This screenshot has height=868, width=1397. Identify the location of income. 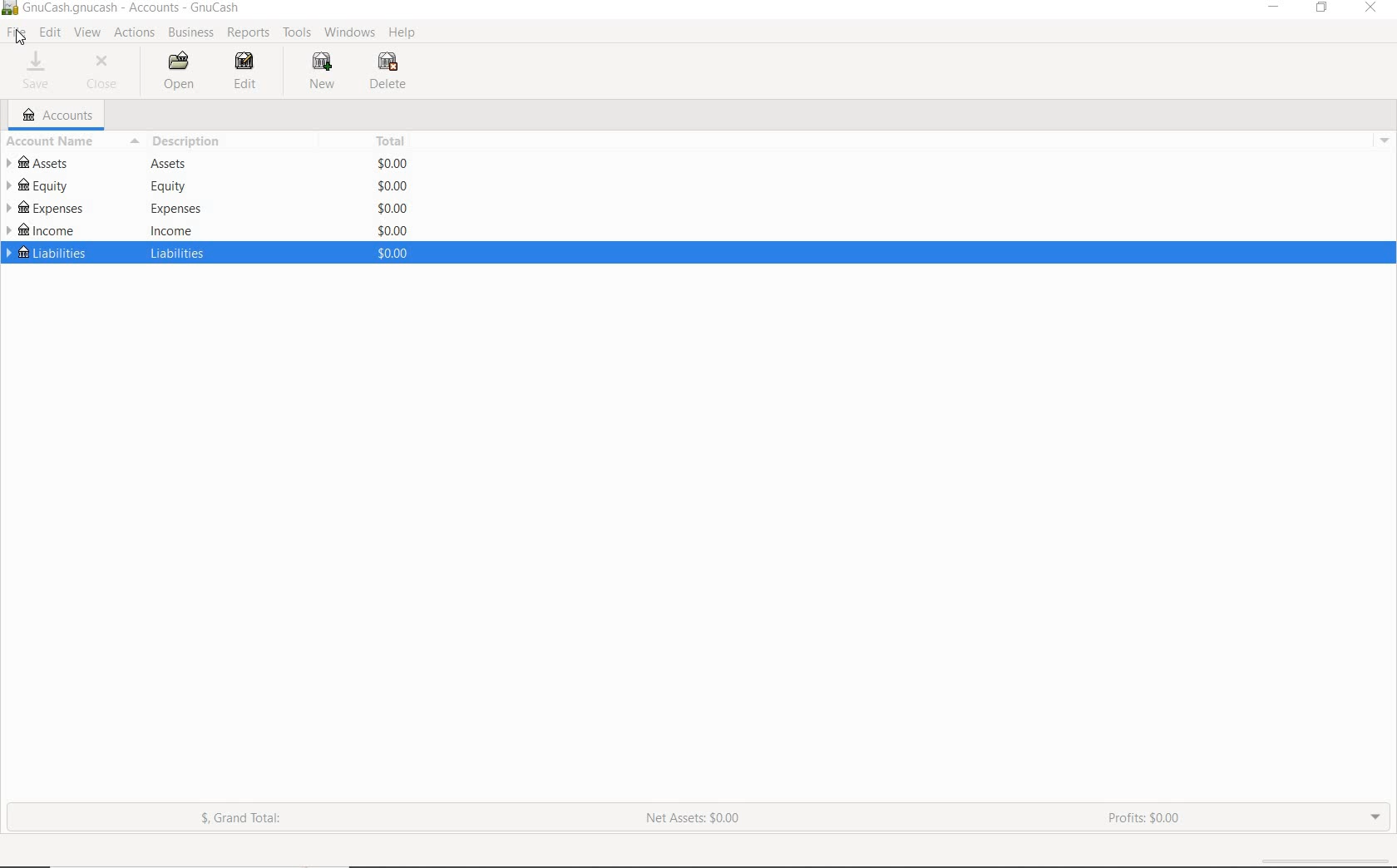
(170, 229).